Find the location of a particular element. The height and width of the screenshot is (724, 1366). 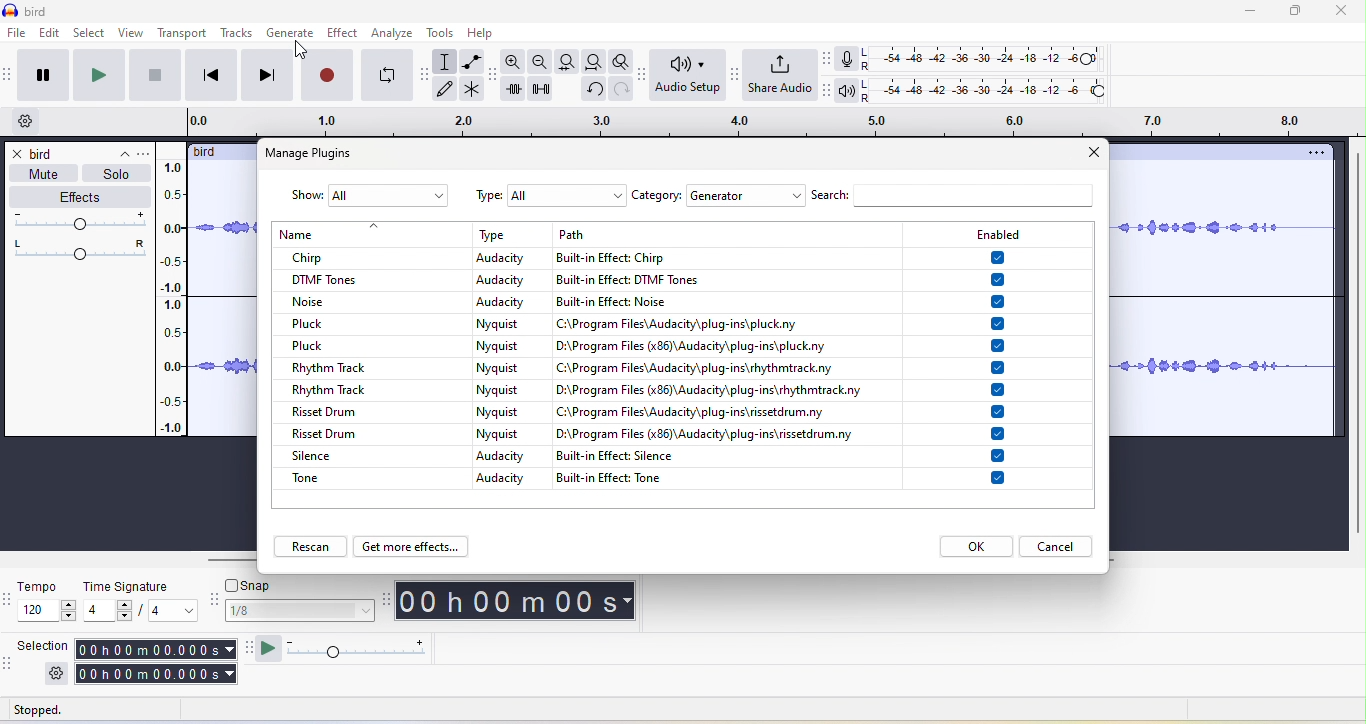

playback level is located at coordinates (991, 92).